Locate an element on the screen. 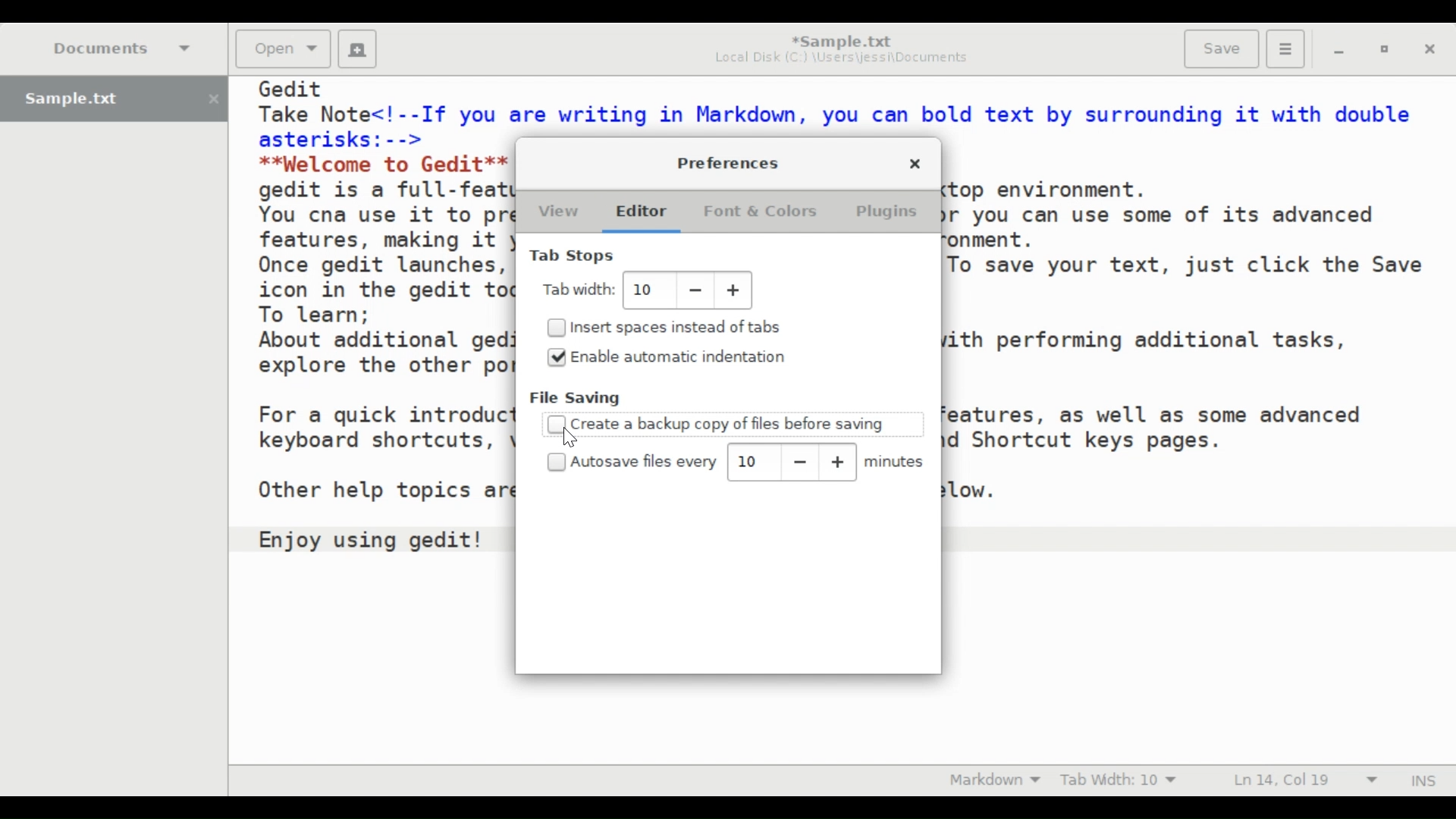 The height and width of the screenshot is (819, 1456). Open is located at coordinates (281, 49).